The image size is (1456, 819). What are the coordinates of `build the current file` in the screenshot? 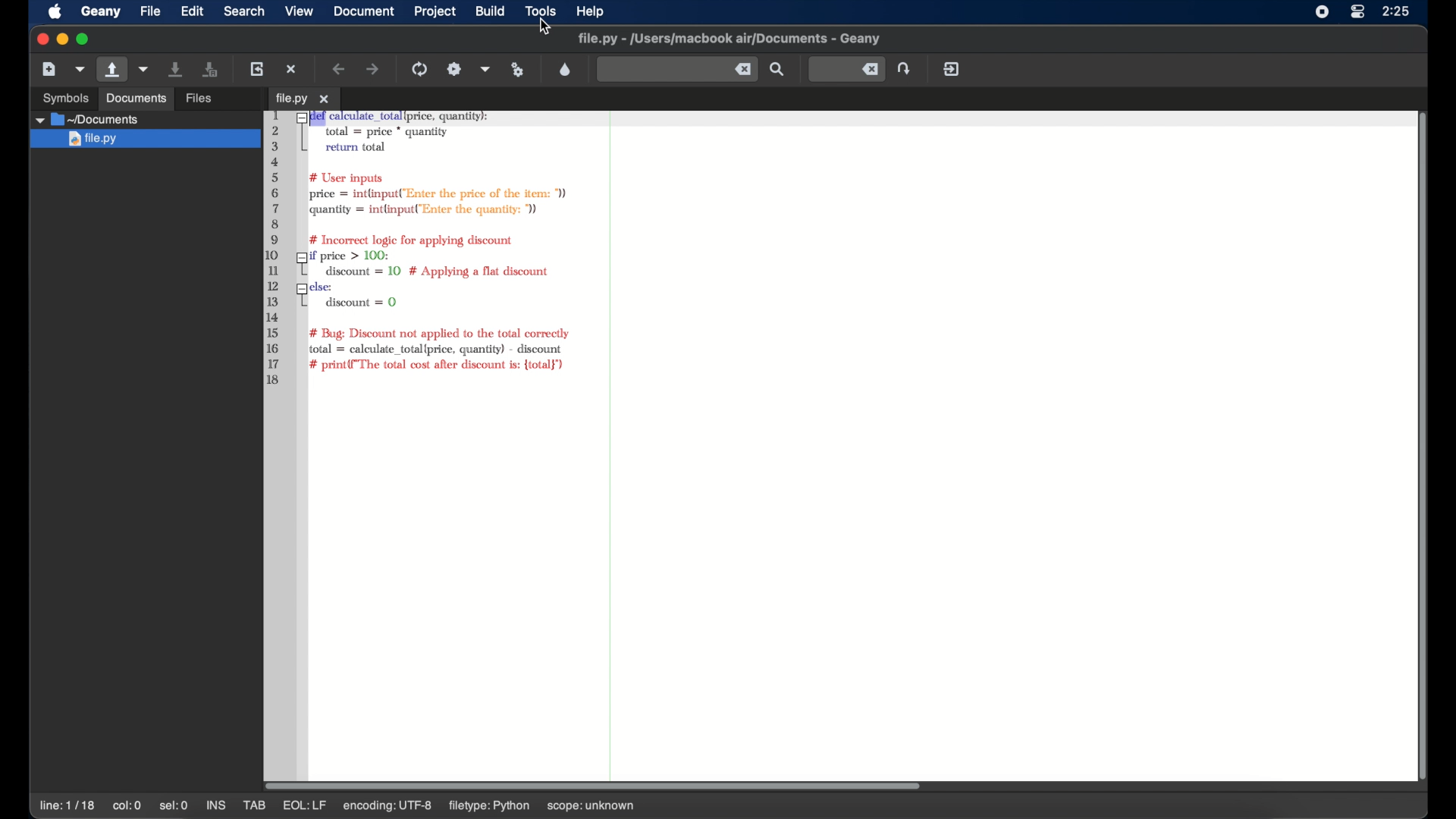 It's located at (454, 69).